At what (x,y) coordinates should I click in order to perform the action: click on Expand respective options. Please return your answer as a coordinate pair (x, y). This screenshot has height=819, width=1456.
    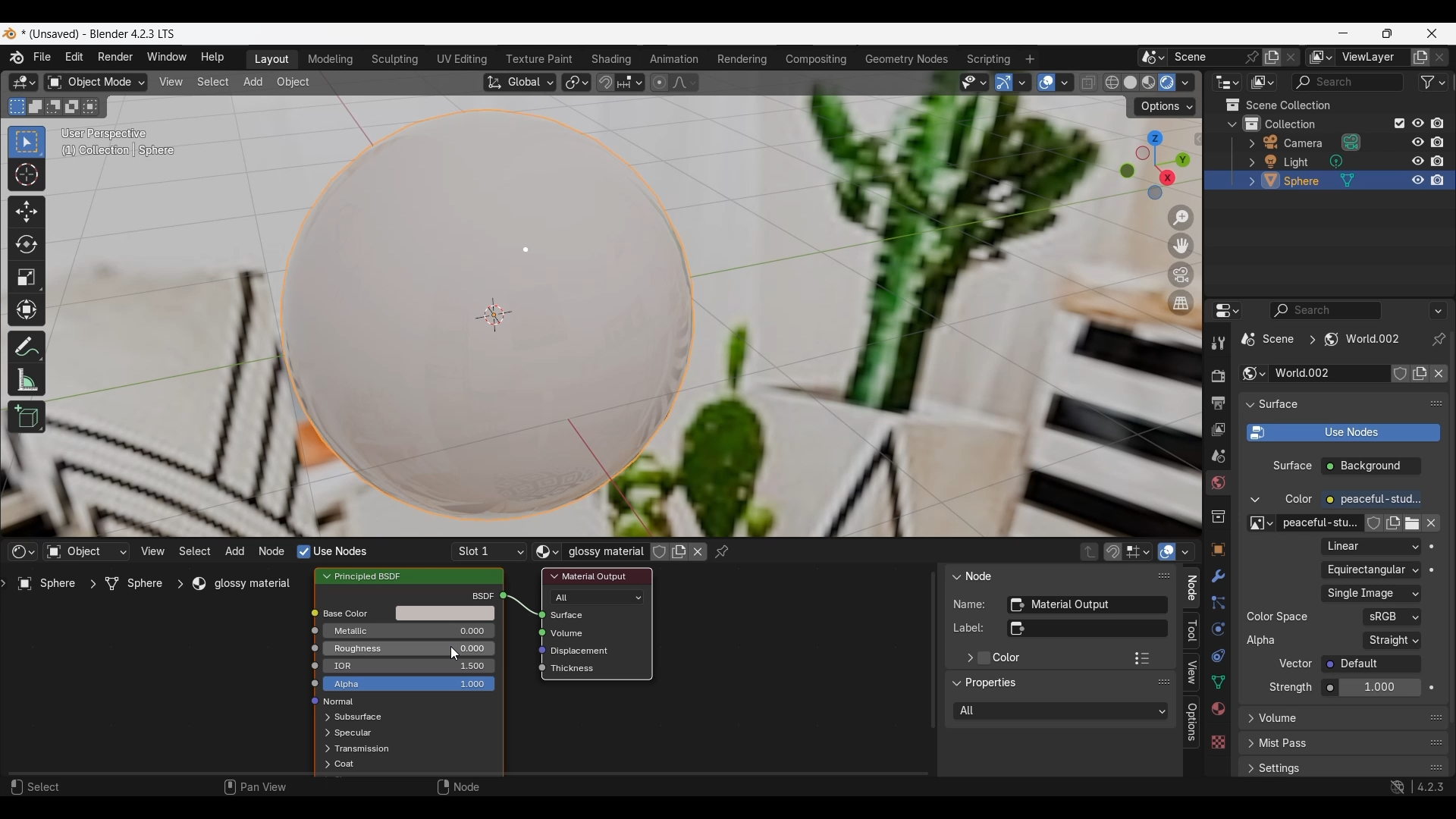
    Looking at the image, I should click on (323, 718).